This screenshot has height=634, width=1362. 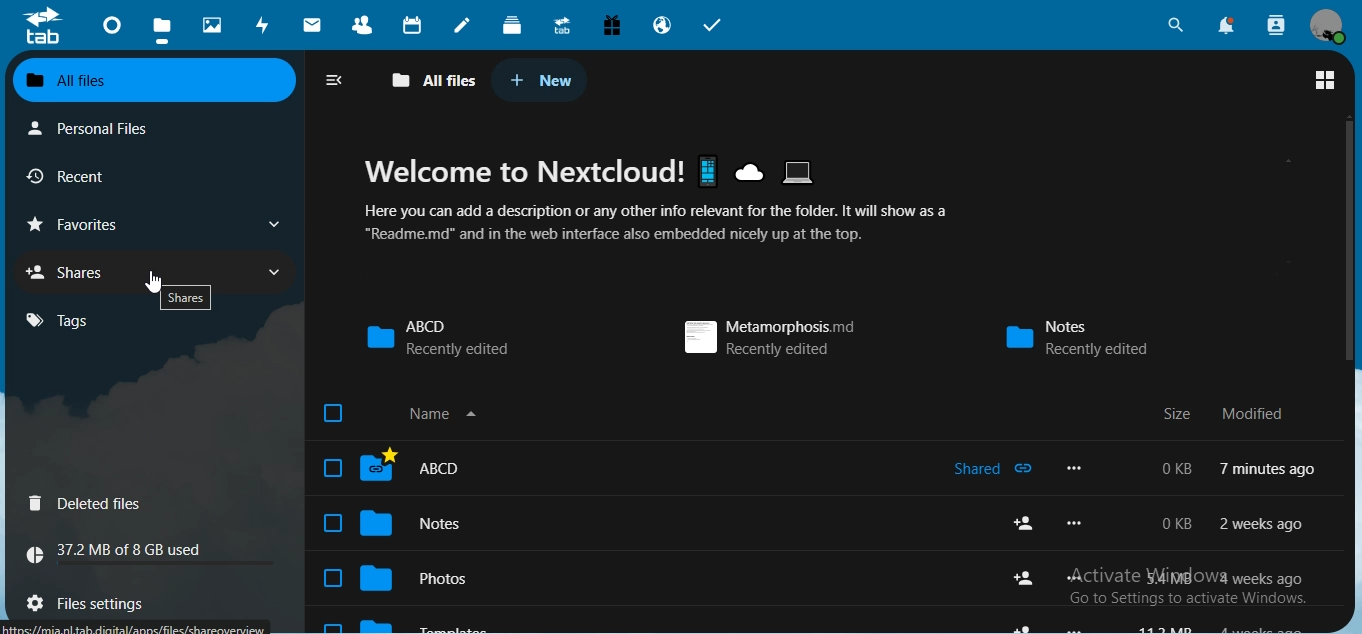 What do you see at coordinates (58, 321) in the screenshot?
I see `tags` at bounding box center [58, 321].